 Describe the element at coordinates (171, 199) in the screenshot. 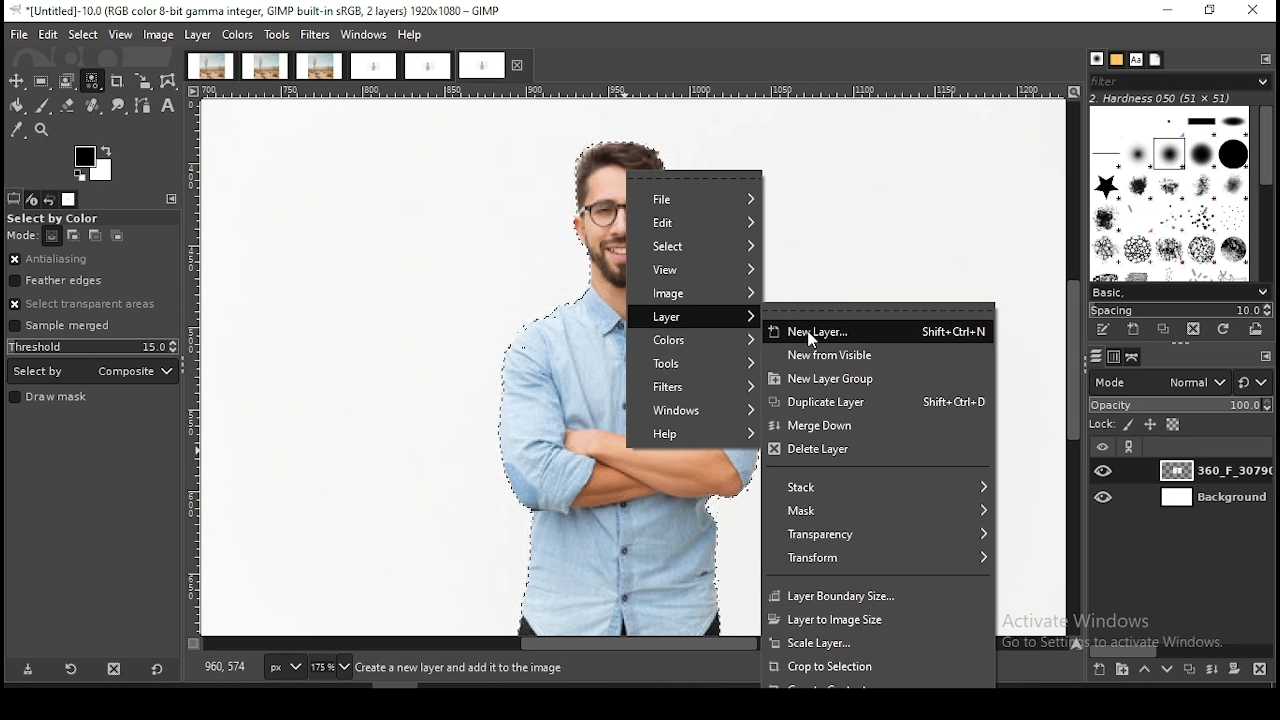

I see `configure this tab` at that location.